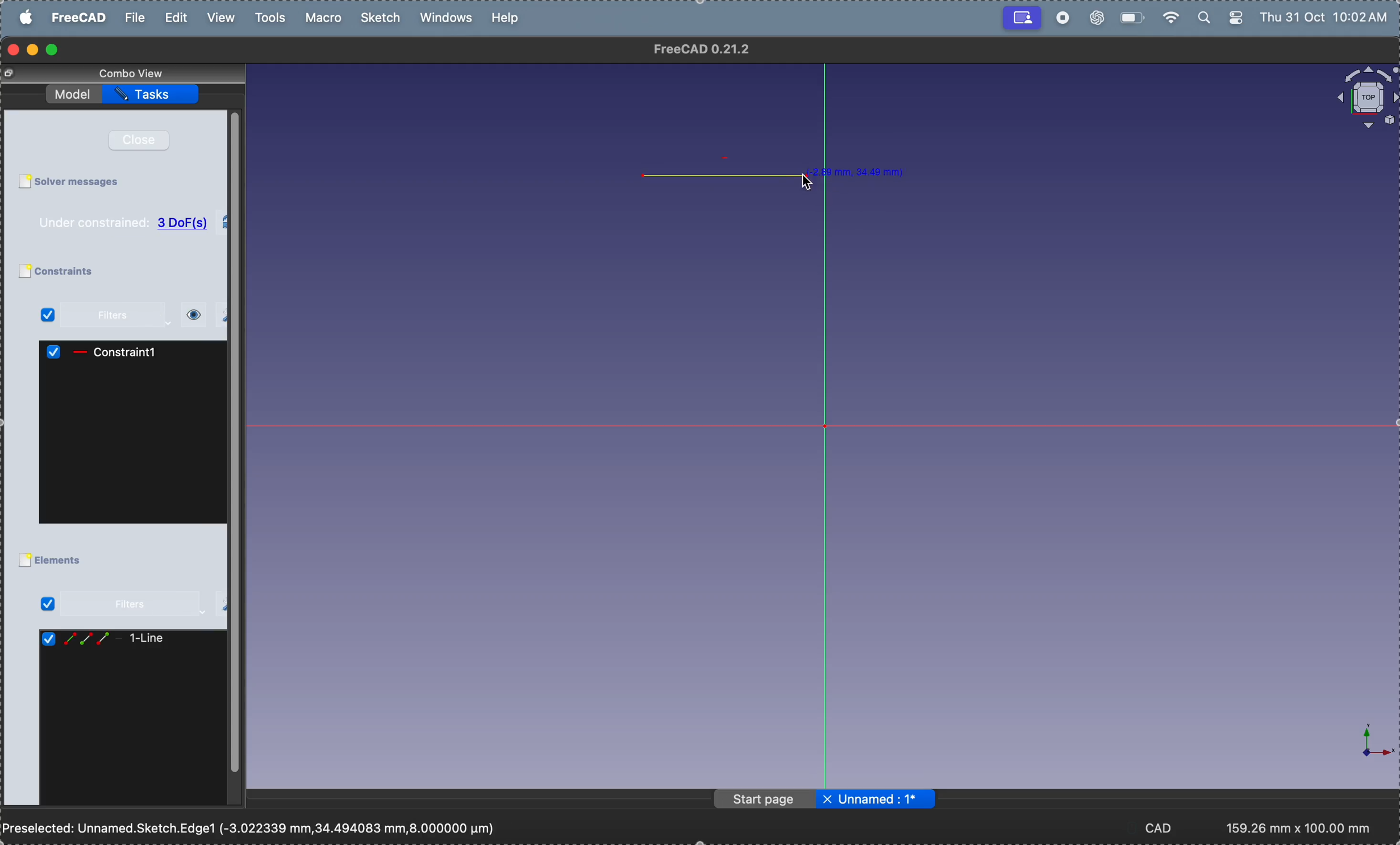 The width and height of the screenshot is (1400, 845). What do you see at coordinates (135, 18) in the screenshot?
I see `file` at bounding box center [135, 18].